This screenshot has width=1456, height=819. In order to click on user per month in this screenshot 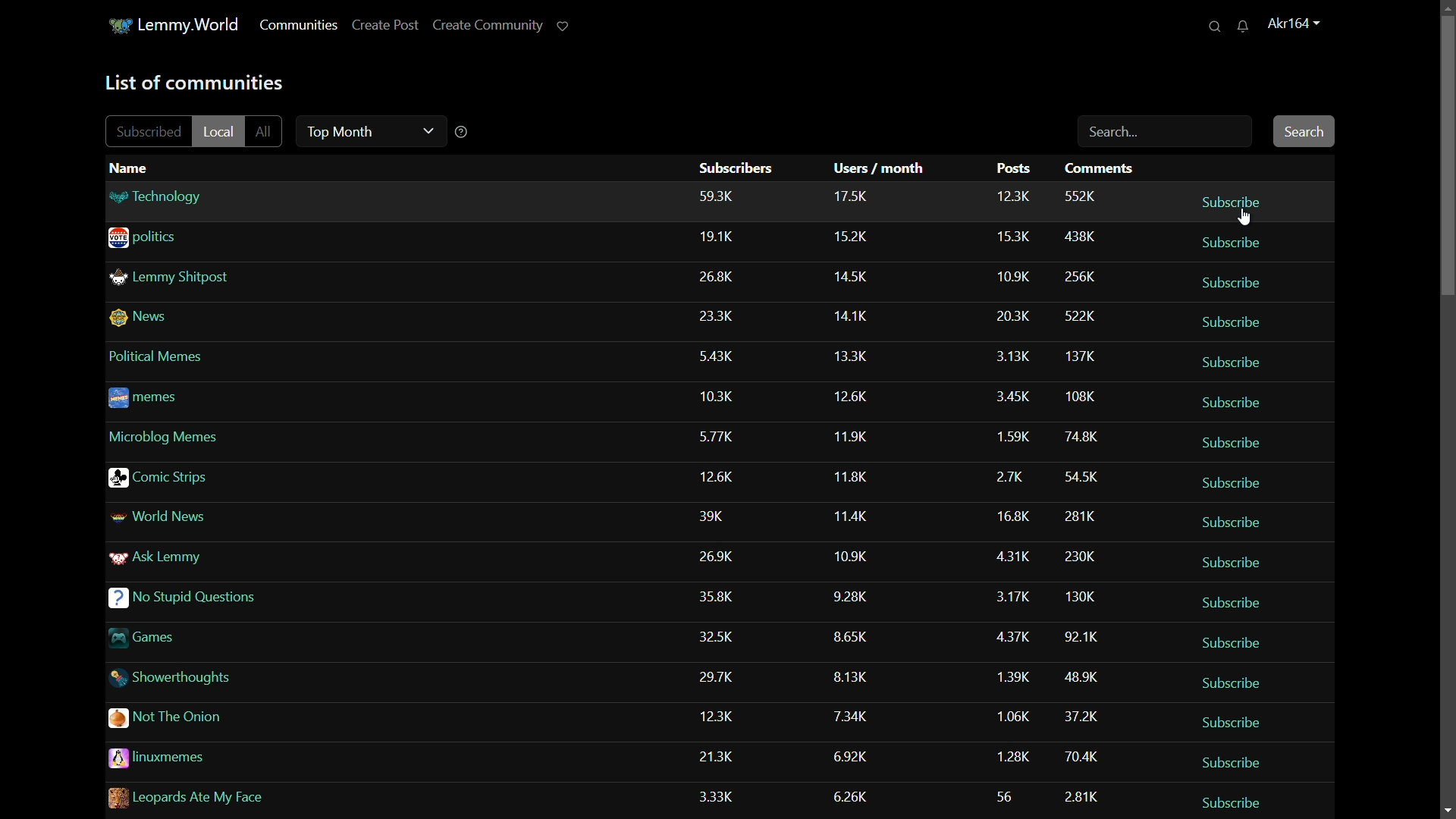, I will do `click(855, 394)`.